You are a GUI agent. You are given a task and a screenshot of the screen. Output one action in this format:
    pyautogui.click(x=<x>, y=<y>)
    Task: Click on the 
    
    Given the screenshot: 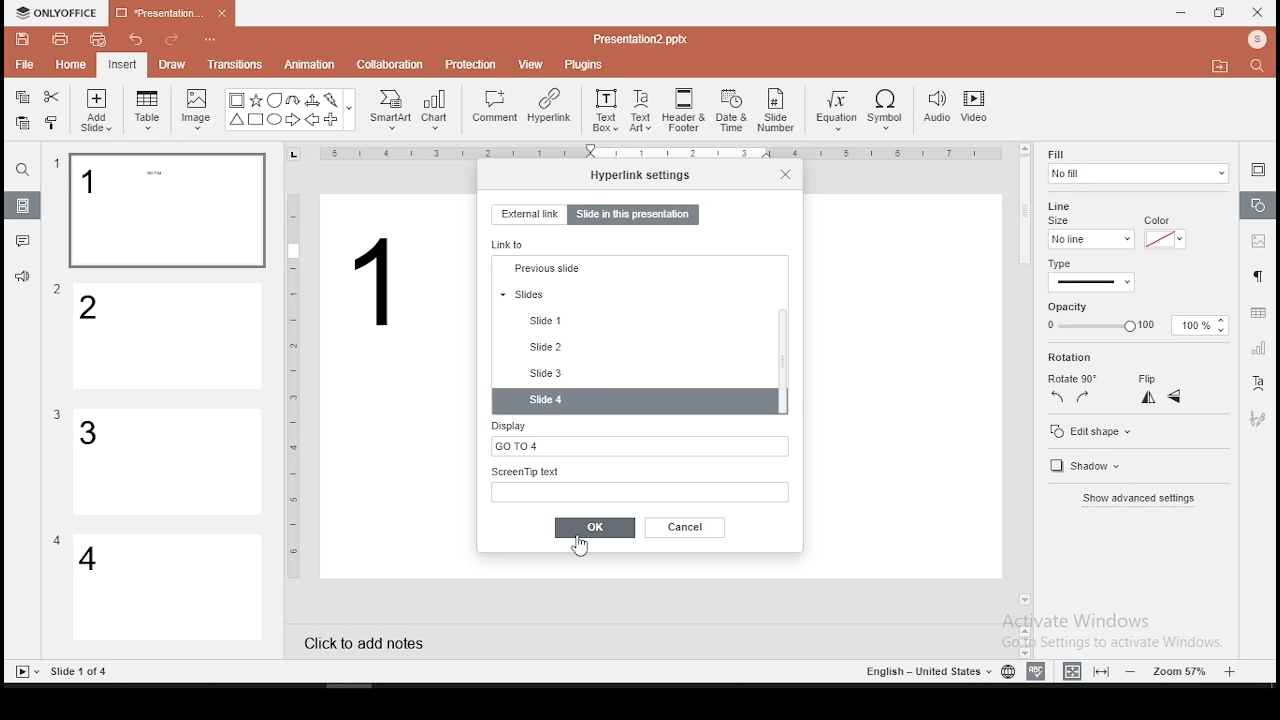 What is the action you would take?
    pyautogui.click(x=926, y=672)
    